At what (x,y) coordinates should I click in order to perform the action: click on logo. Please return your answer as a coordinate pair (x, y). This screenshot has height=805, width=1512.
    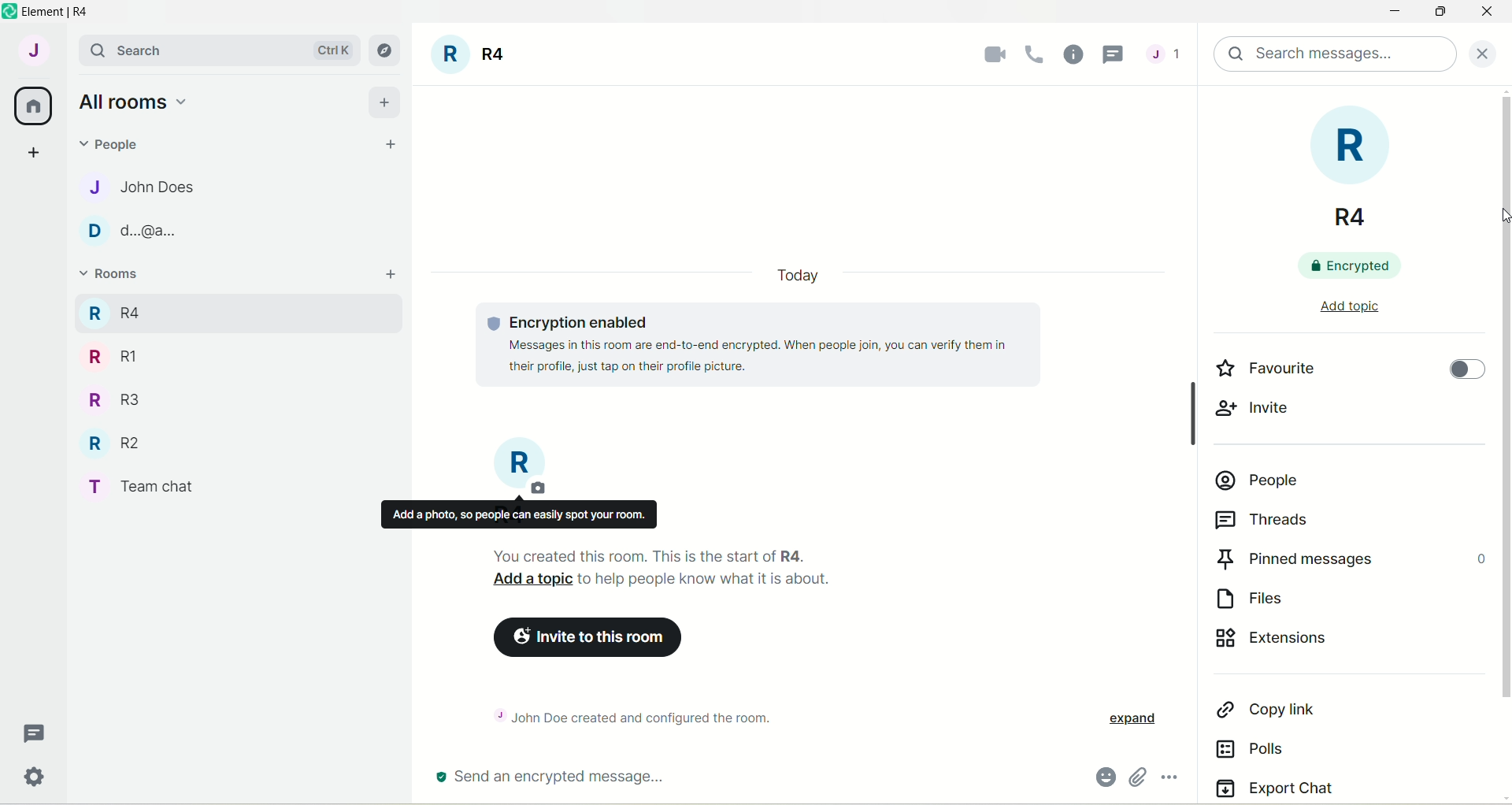
    Looking at the image, I should click on (9, 12).